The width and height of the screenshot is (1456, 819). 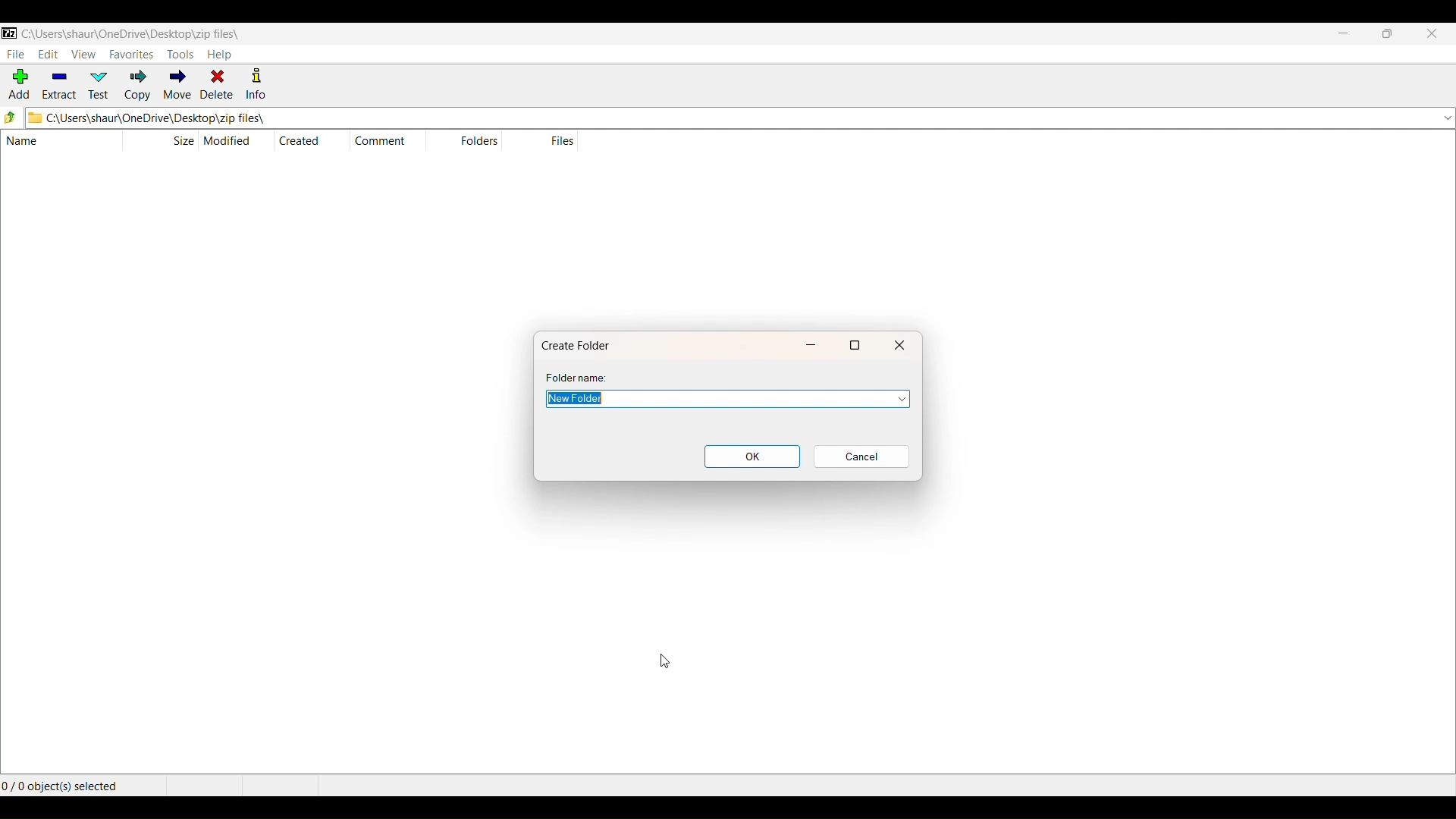 What do you see at coordinates (58, 86) in the screenshot?
I see `EXTRACT` at bounding box center [58, 86].